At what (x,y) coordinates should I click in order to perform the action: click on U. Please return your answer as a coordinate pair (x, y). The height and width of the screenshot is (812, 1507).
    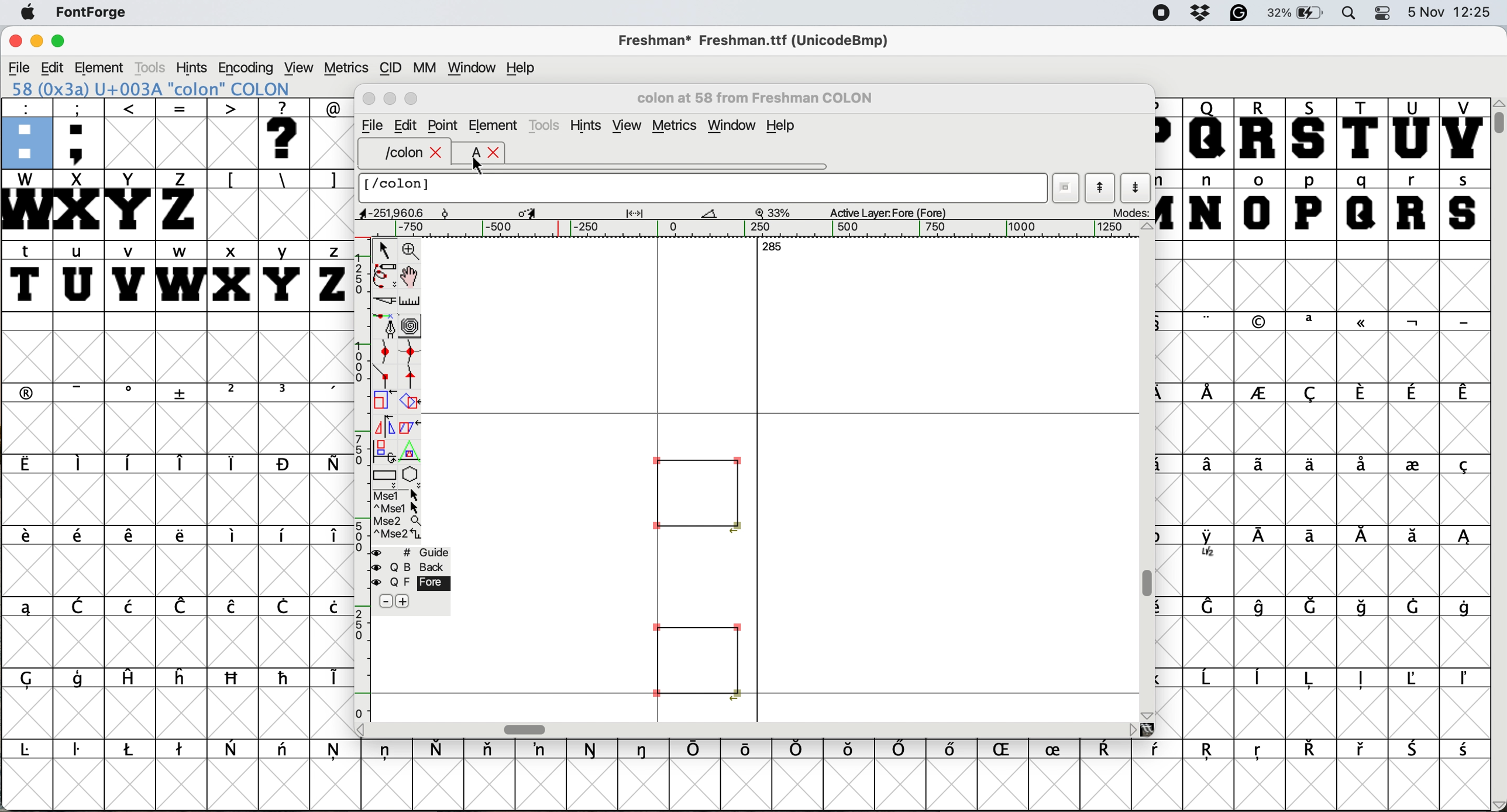
    Looking at the image, I should click on (1412, 133).